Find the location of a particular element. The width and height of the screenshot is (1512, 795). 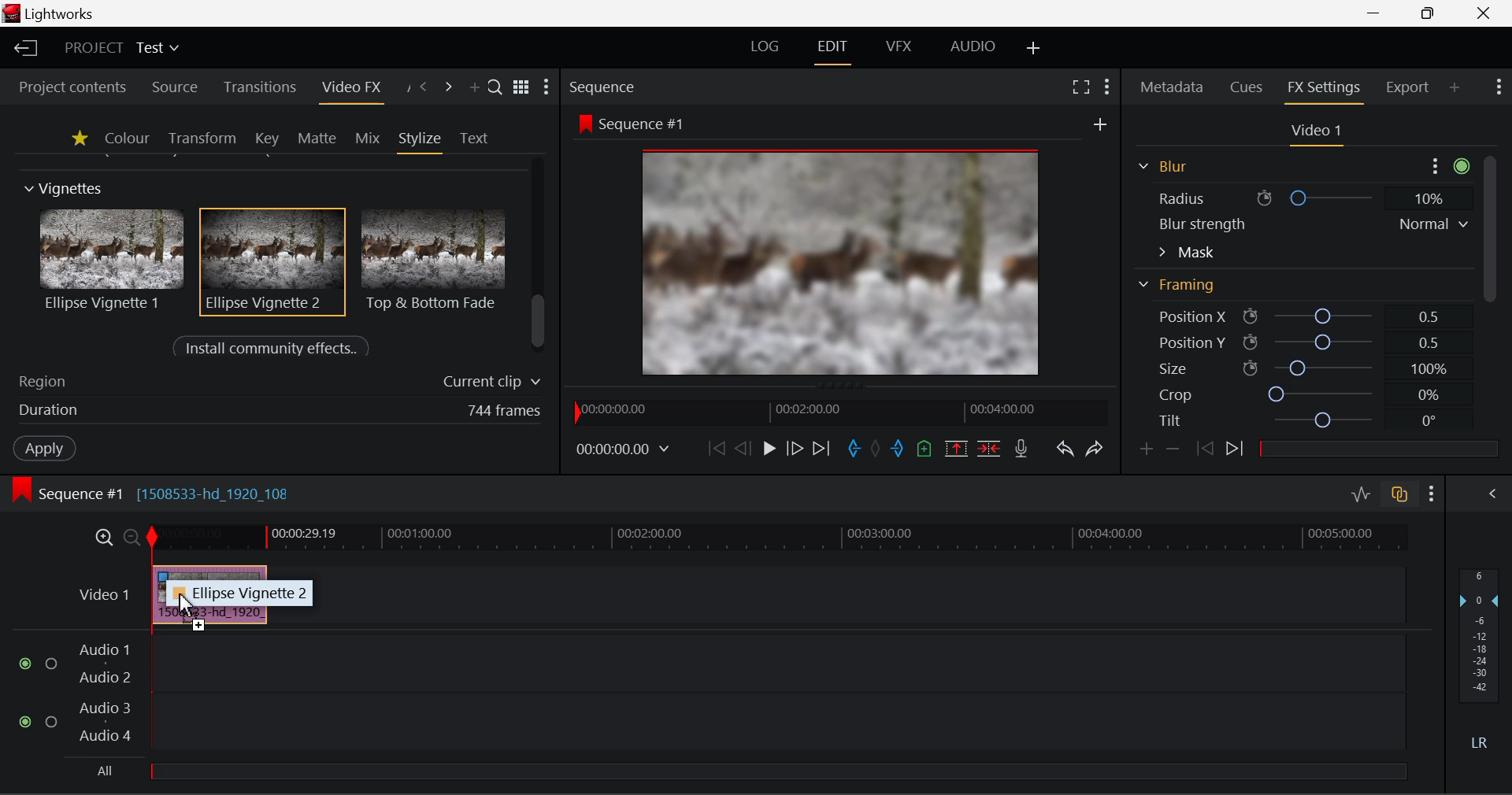

Effect Visible in Preview is located at coordinates (818, 246).